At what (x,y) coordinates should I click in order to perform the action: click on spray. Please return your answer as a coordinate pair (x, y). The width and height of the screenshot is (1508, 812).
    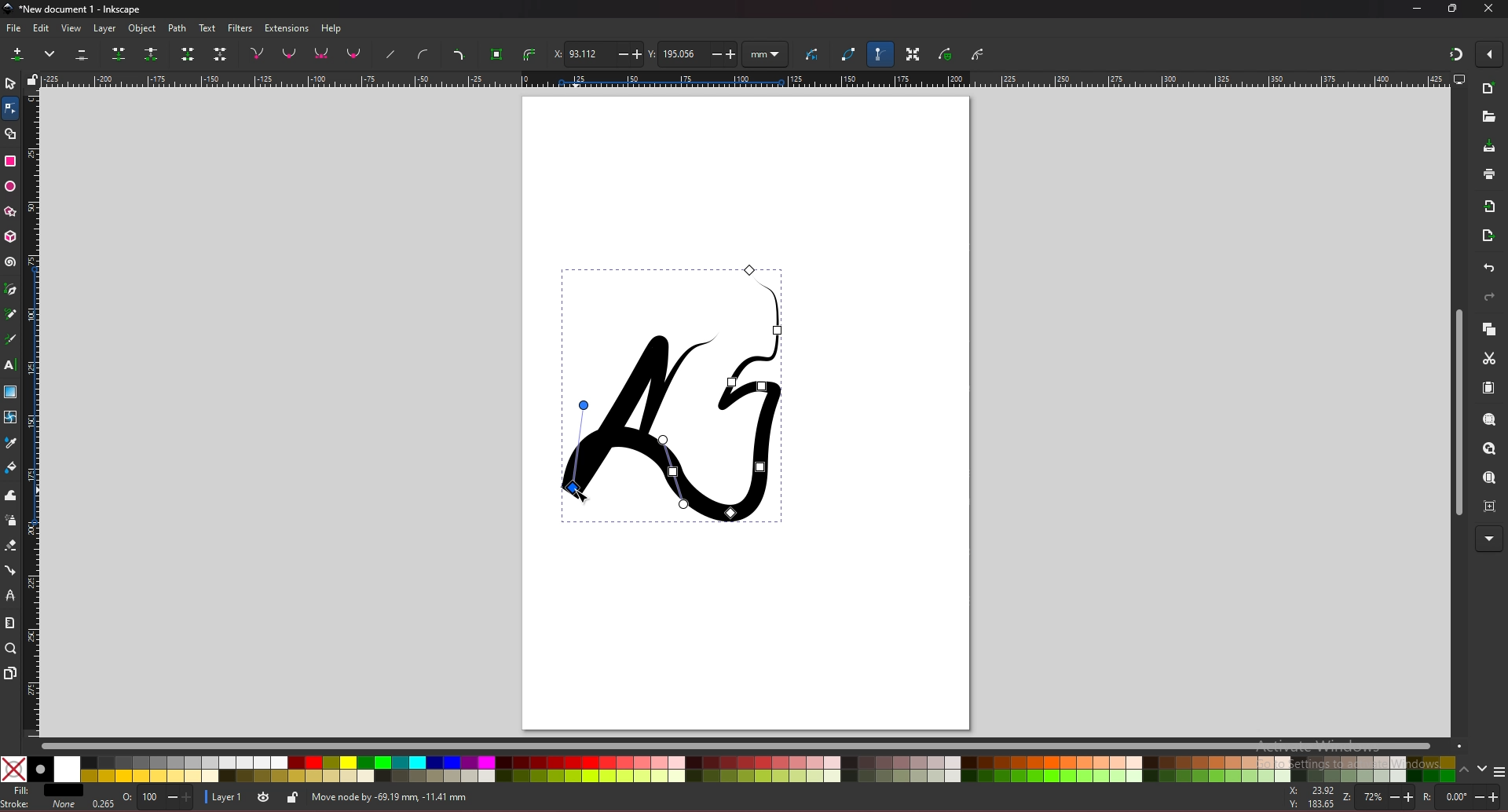
    Looking at the image, I should click on (11, 521).